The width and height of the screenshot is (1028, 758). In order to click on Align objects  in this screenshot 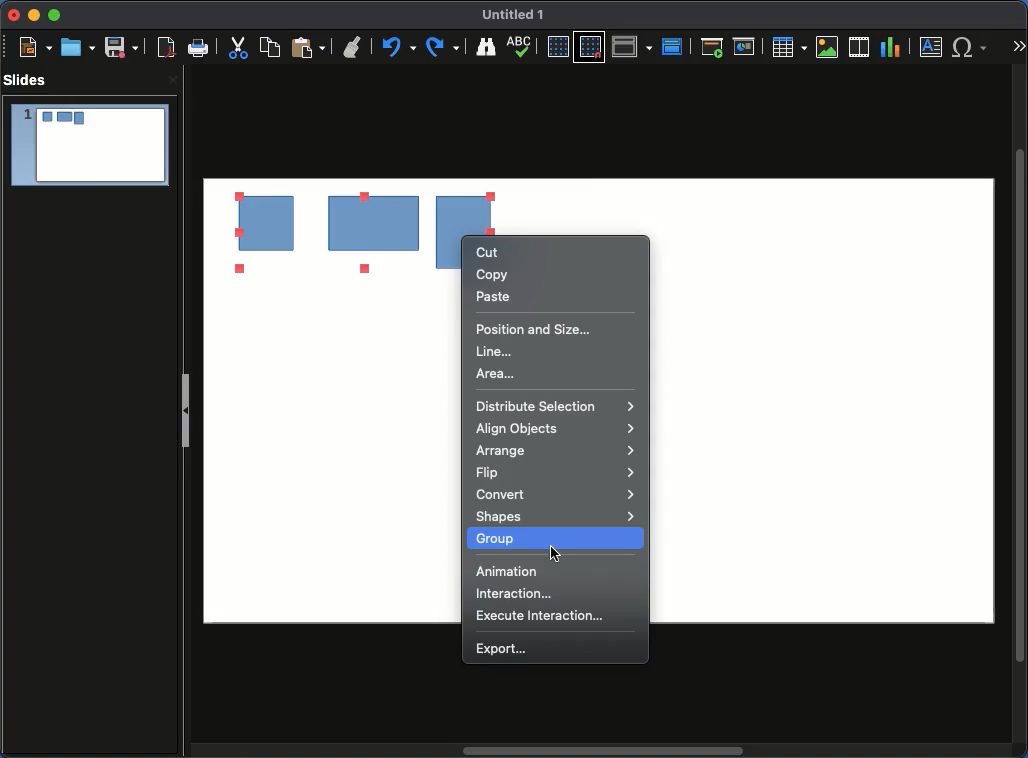, I will do `click(555, 429)`.